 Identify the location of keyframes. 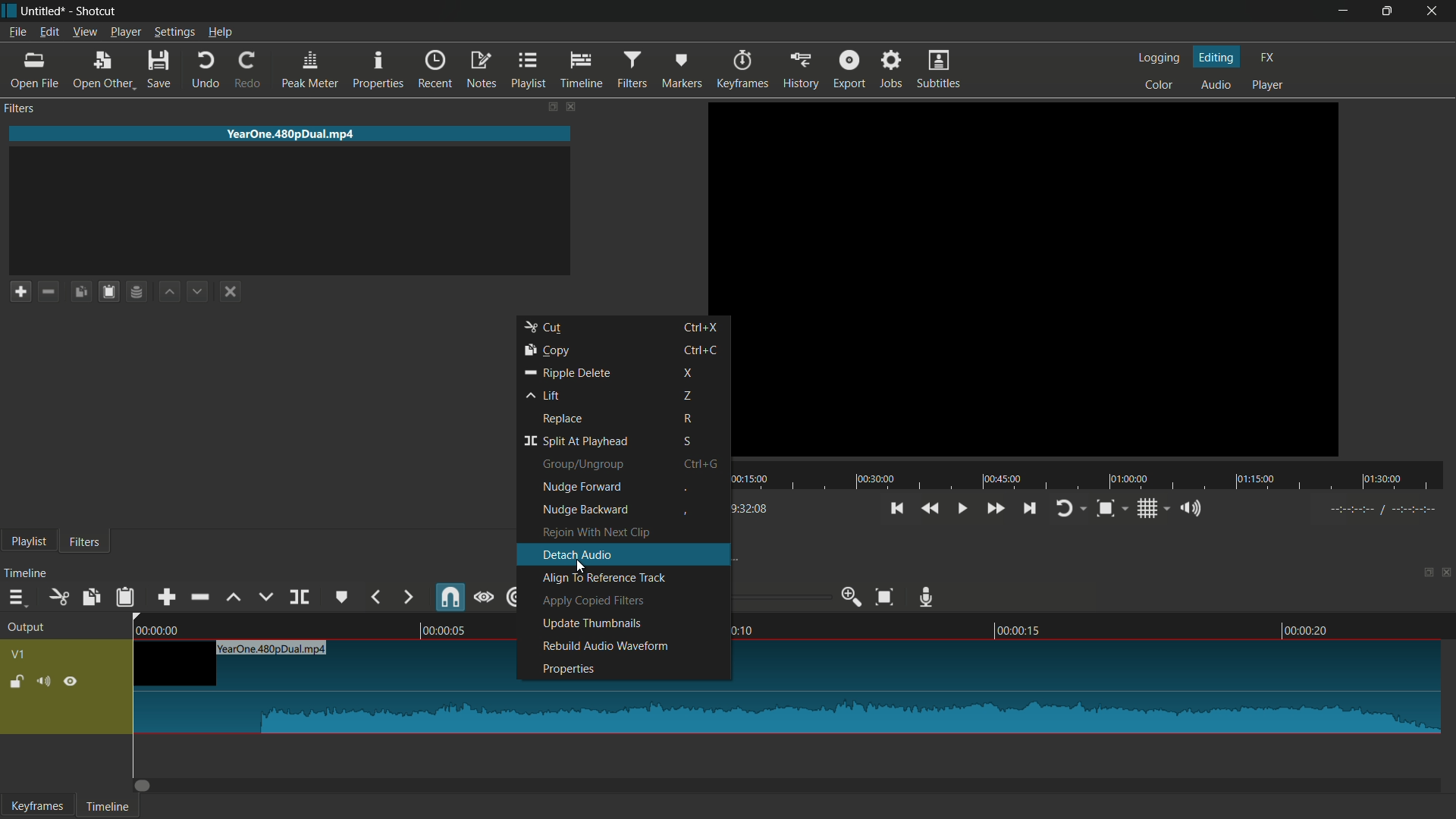
(36, 806).